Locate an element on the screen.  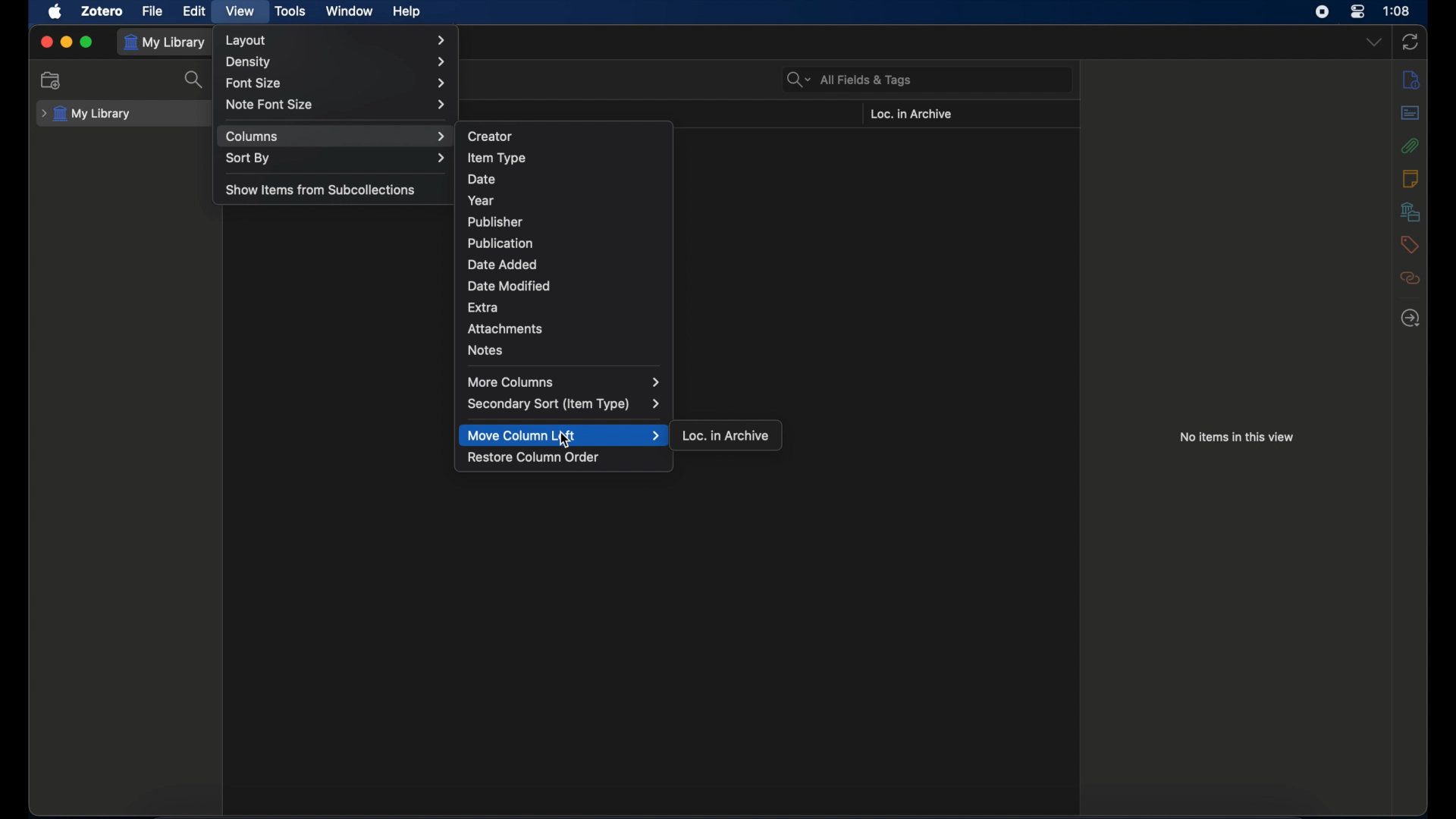
apple is located at coordinates (56, 12).